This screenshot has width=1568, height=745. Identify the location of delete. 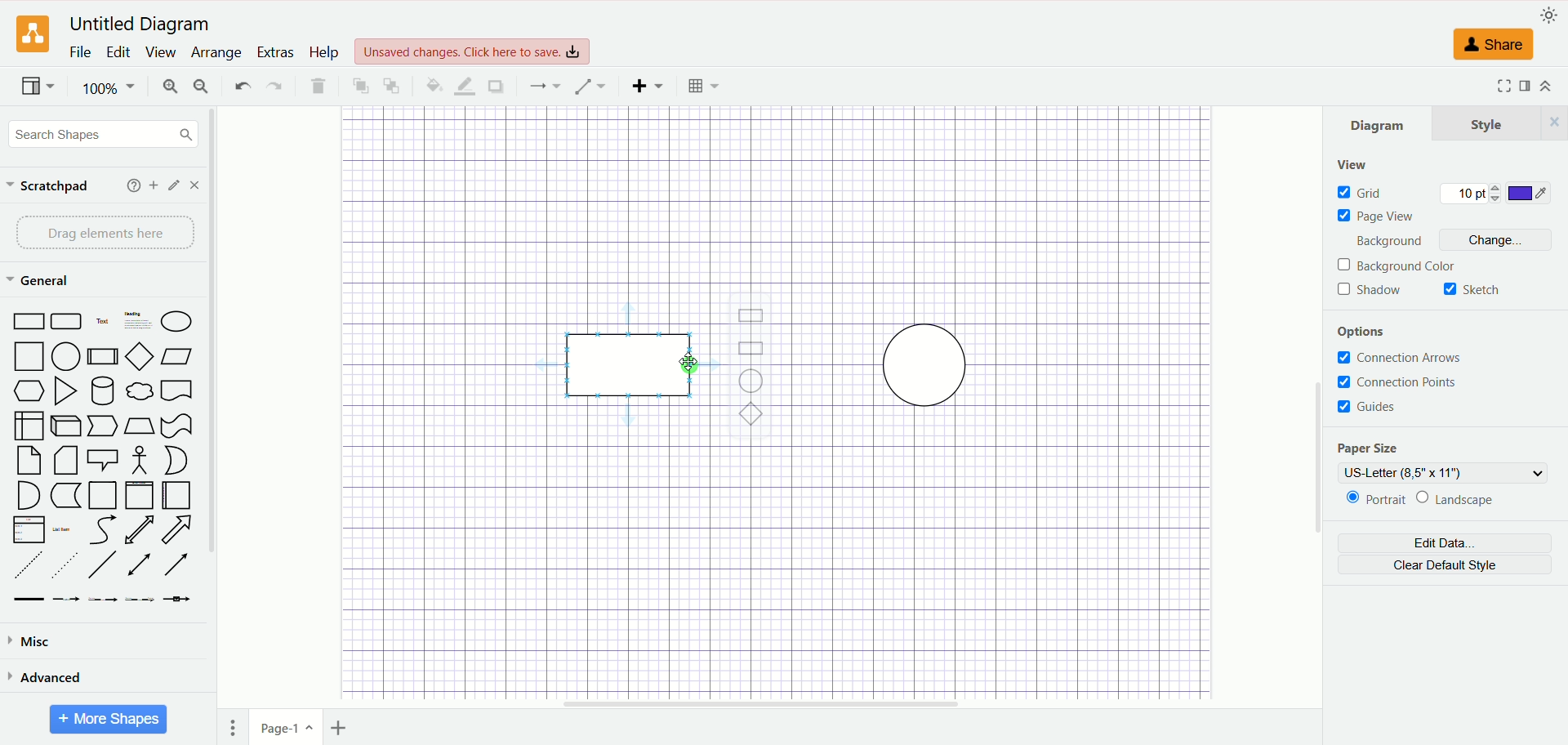
(316, 84).